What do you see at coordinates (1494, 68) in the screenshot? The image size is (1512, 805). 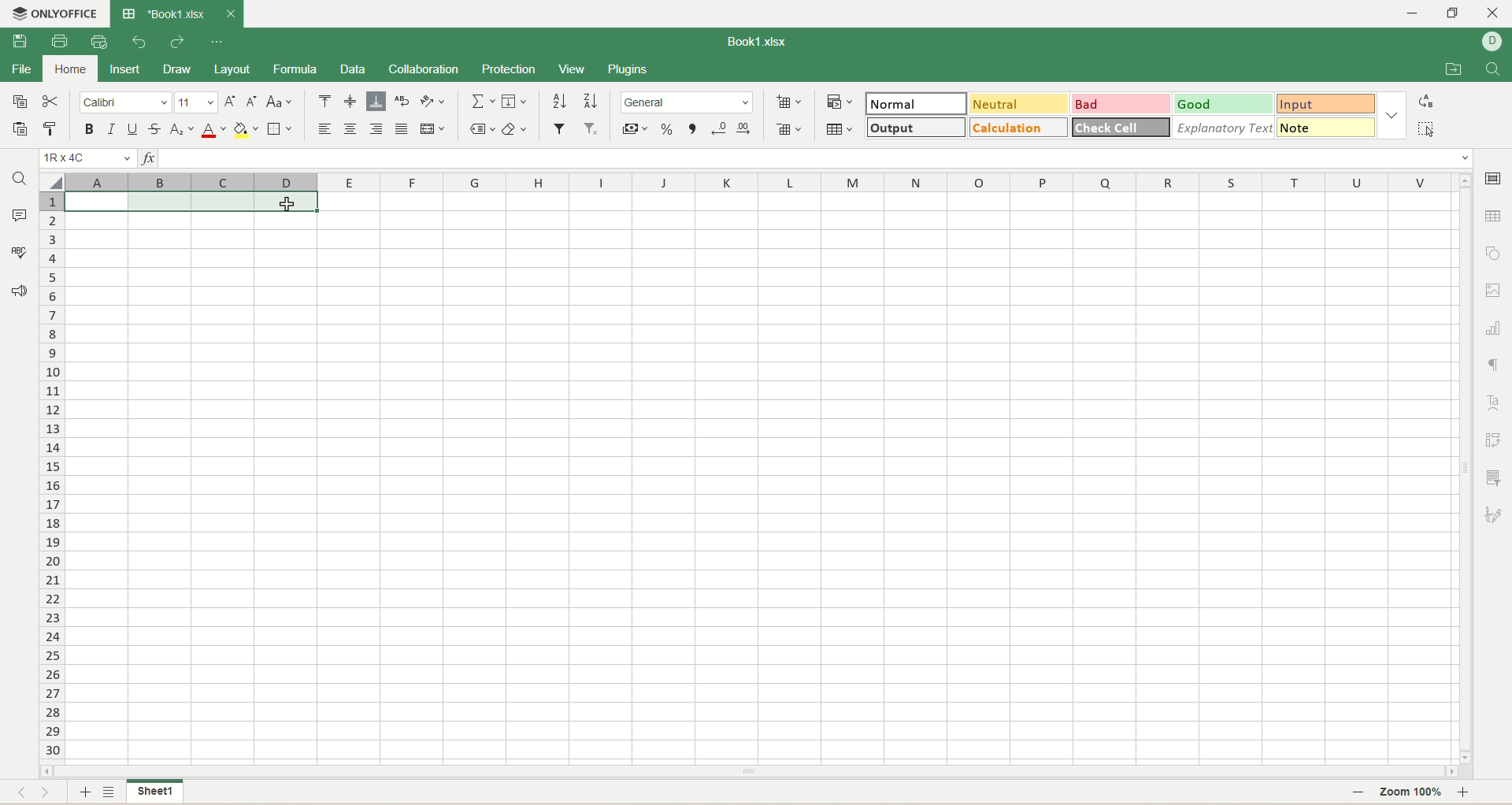 I see `find` at bounding box center [1494, 68].